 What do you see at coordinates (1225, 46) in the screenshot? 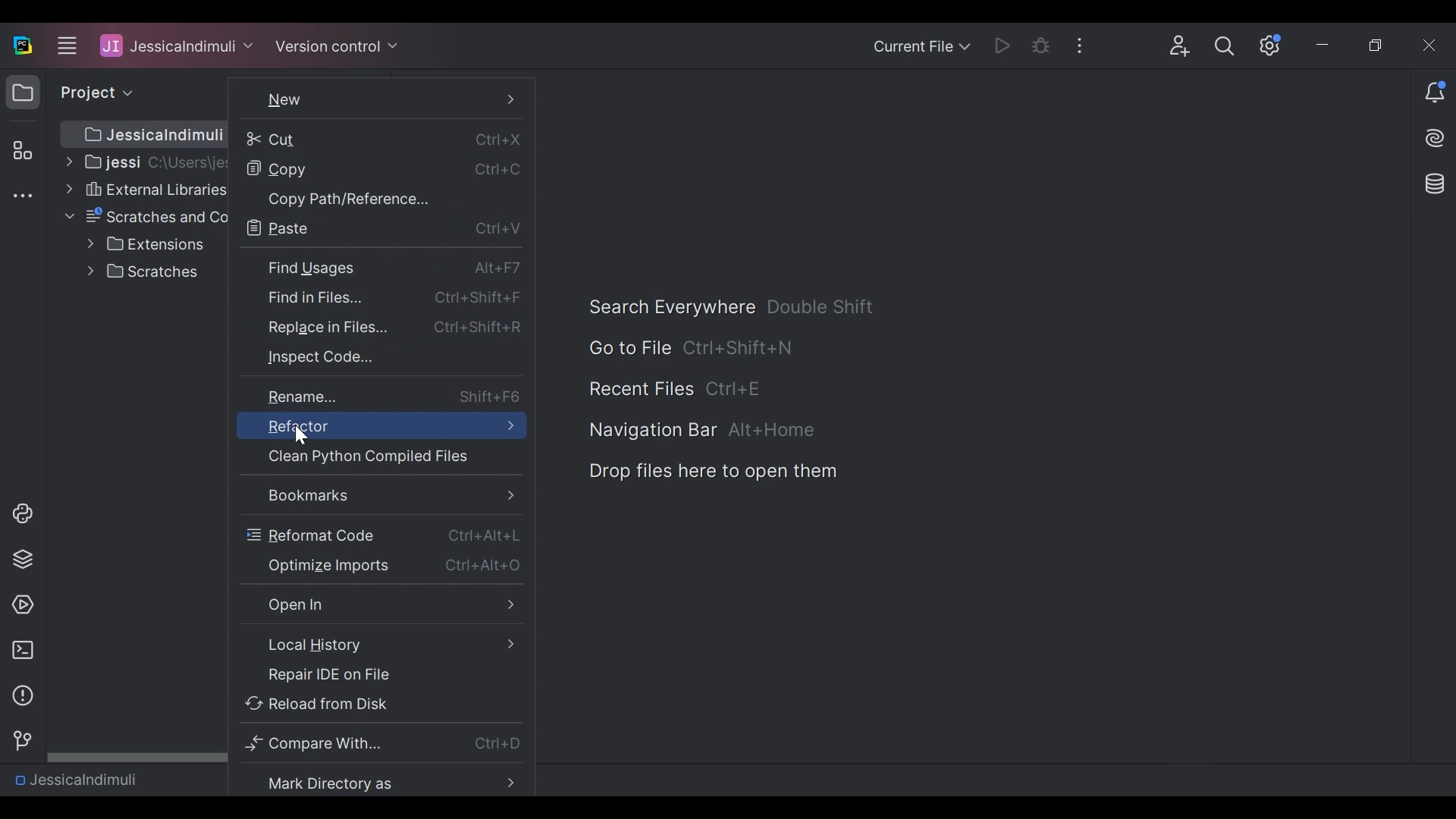
I see `Search` at bounding box center [1225, 46].